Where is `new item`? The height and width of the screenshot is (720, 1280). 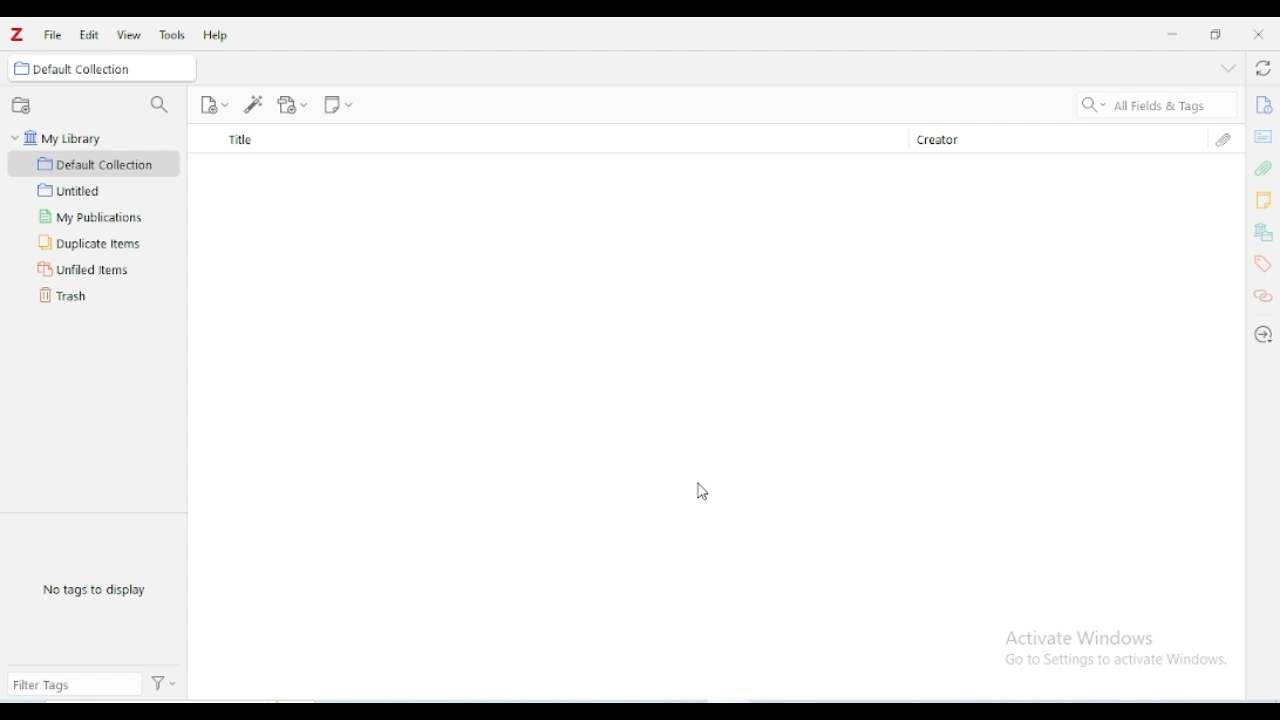 new item is located at coordinates (214, 104).